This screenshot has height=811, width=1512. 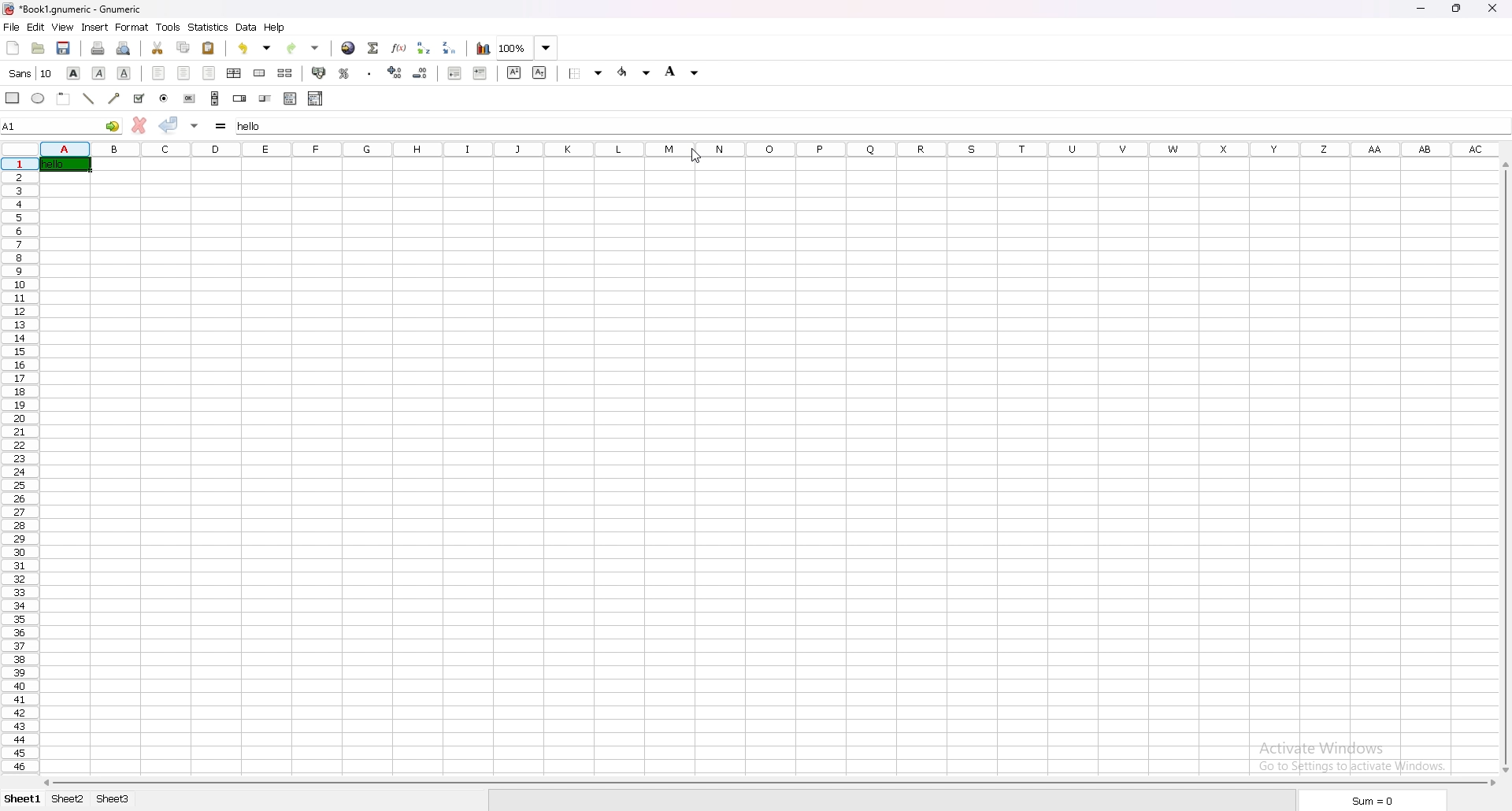 I want to click on undo, so click(x=254, y=48).